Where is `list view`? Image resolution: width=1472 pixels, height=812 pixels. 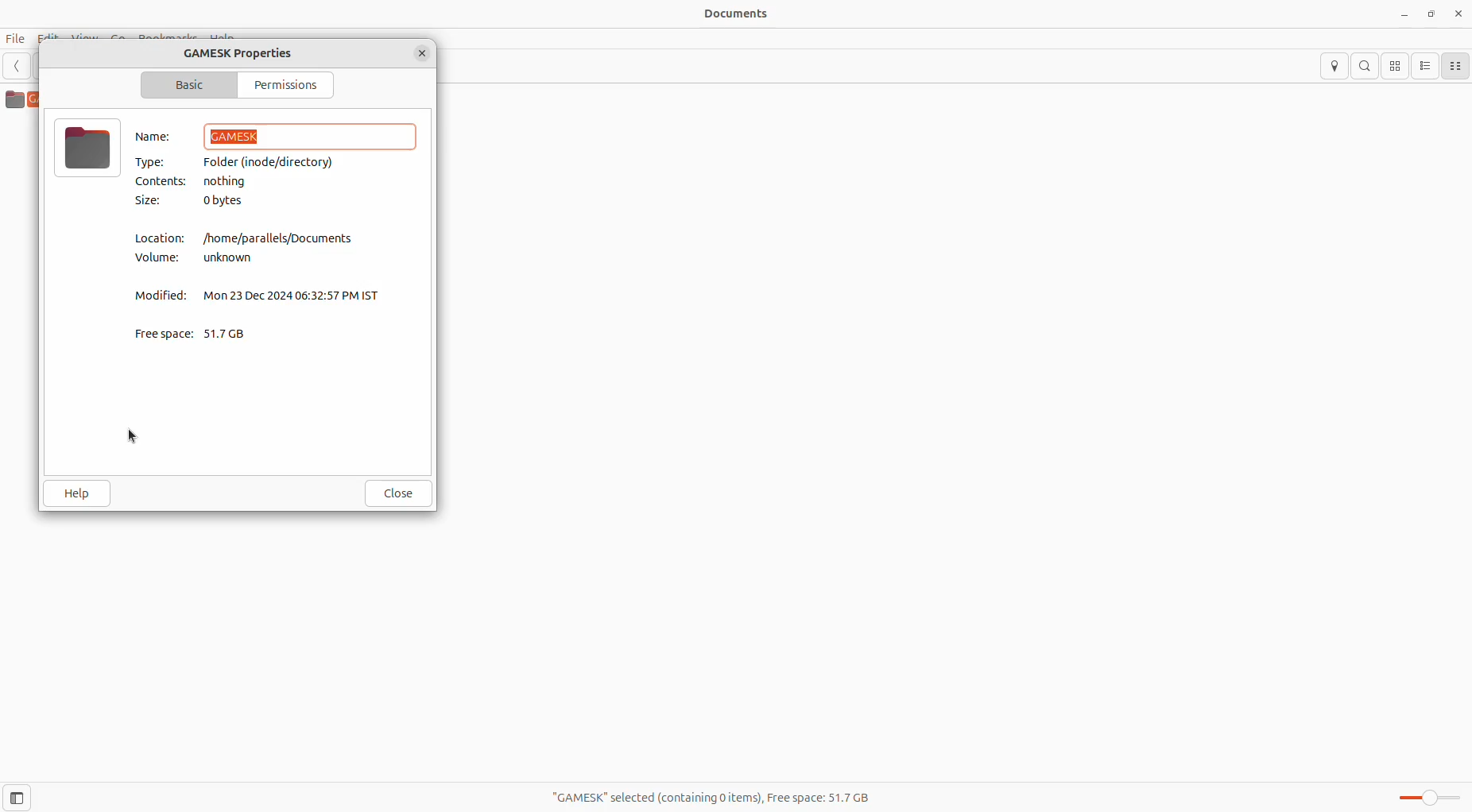 list view is located at coordinates (1424, 66).